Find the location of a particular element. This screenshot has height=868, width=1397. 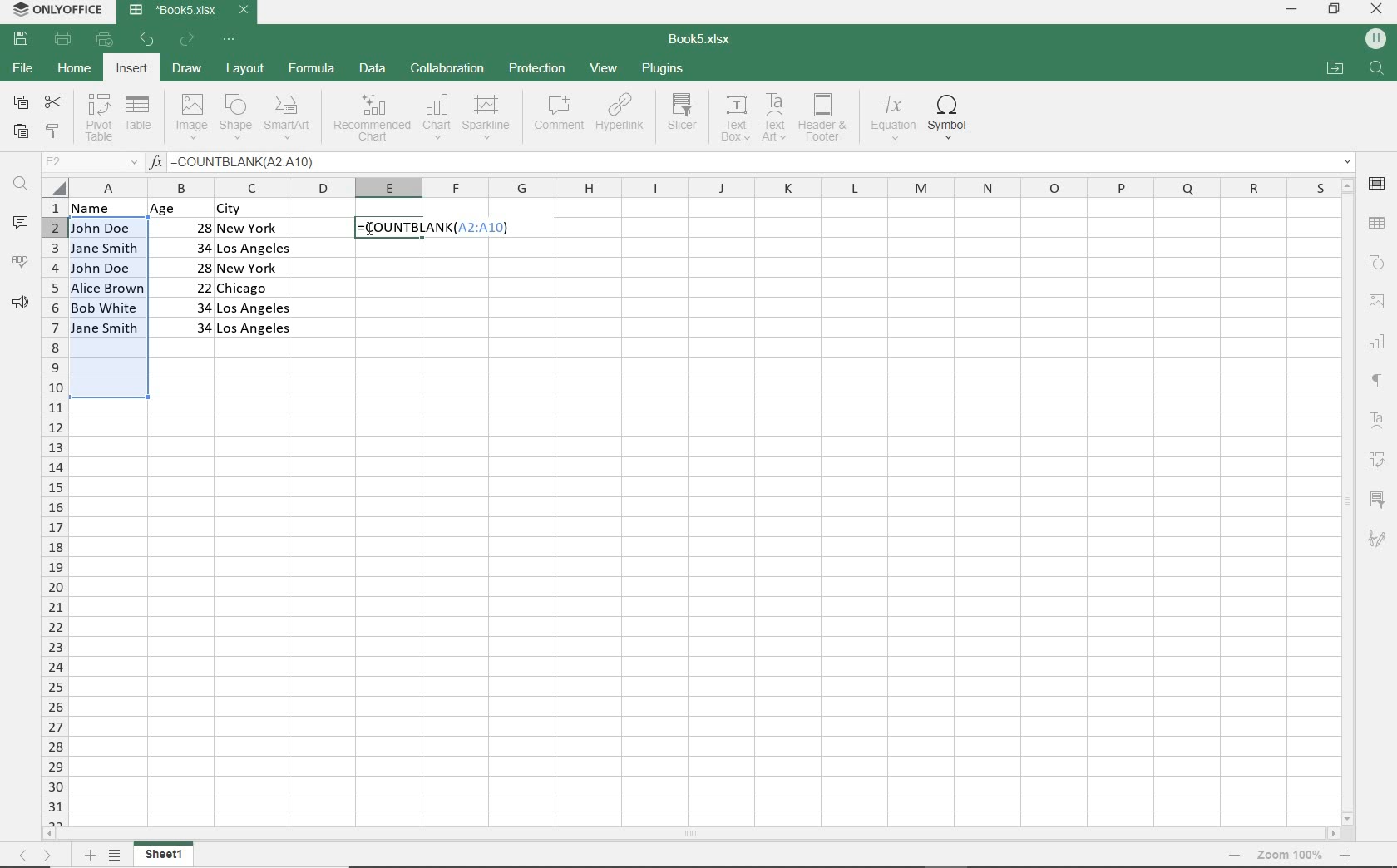

Chicago is located at coordinates (255, 289).